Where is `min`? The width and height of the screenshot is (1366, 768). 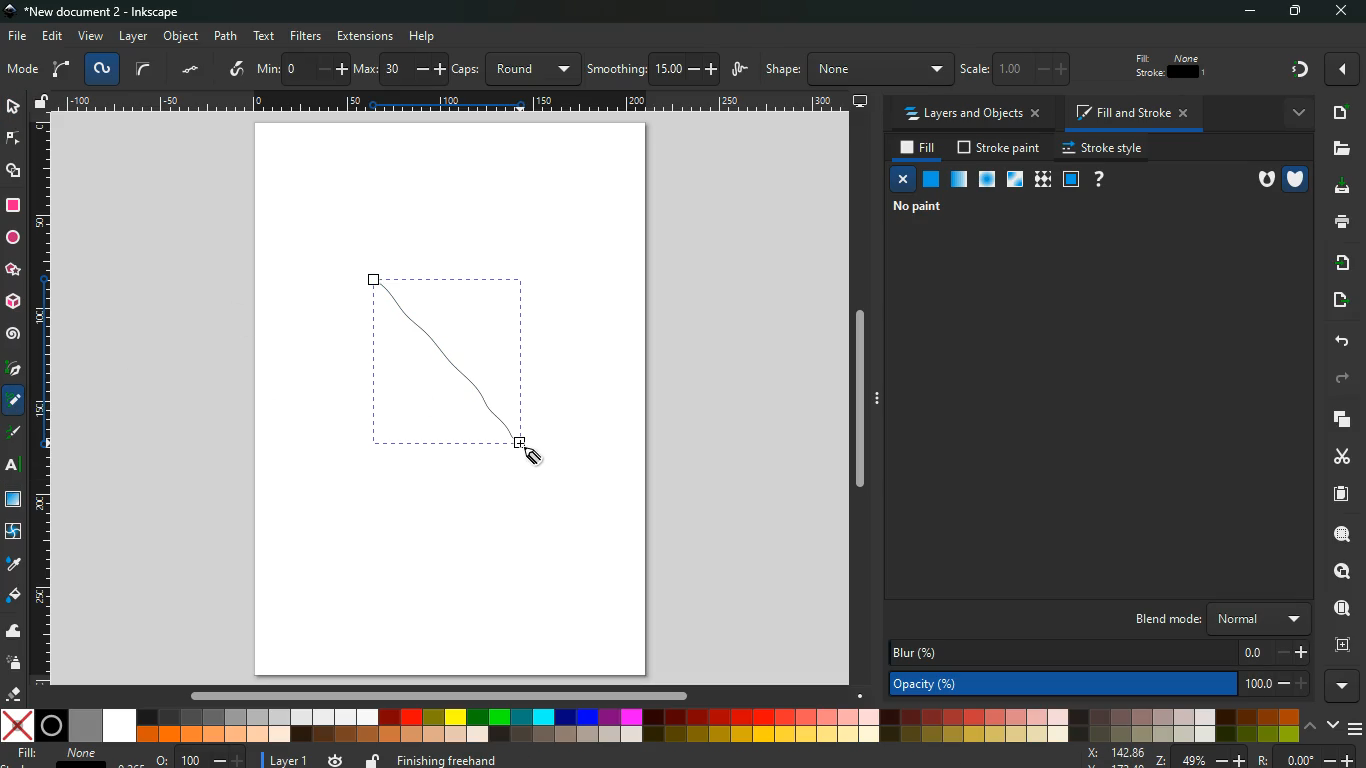
min is located at coordinates (302, 69).